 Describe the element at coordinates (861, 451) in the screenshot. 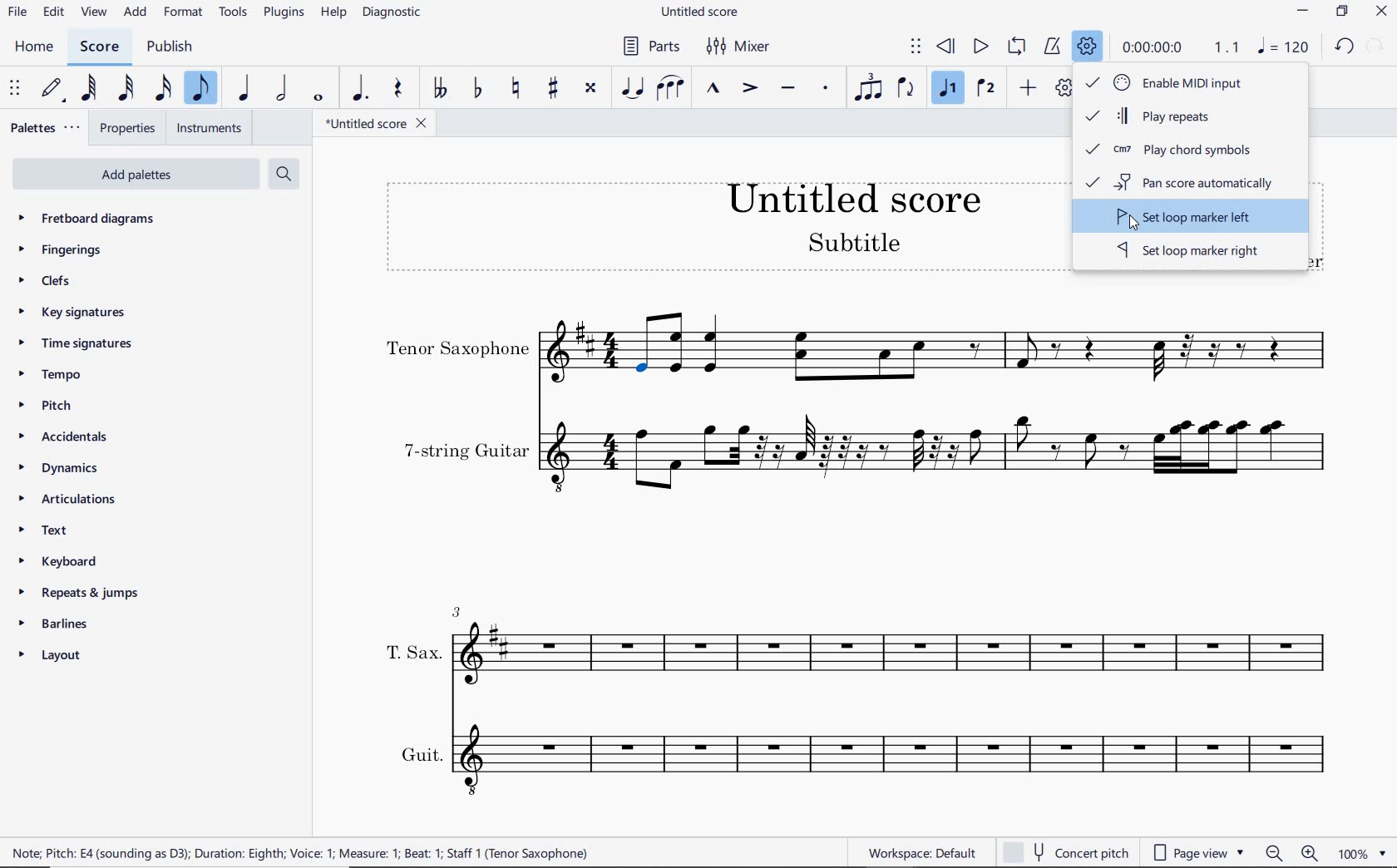

I see `INSTRUMENT: 7-STRING GUITAR` at that location.